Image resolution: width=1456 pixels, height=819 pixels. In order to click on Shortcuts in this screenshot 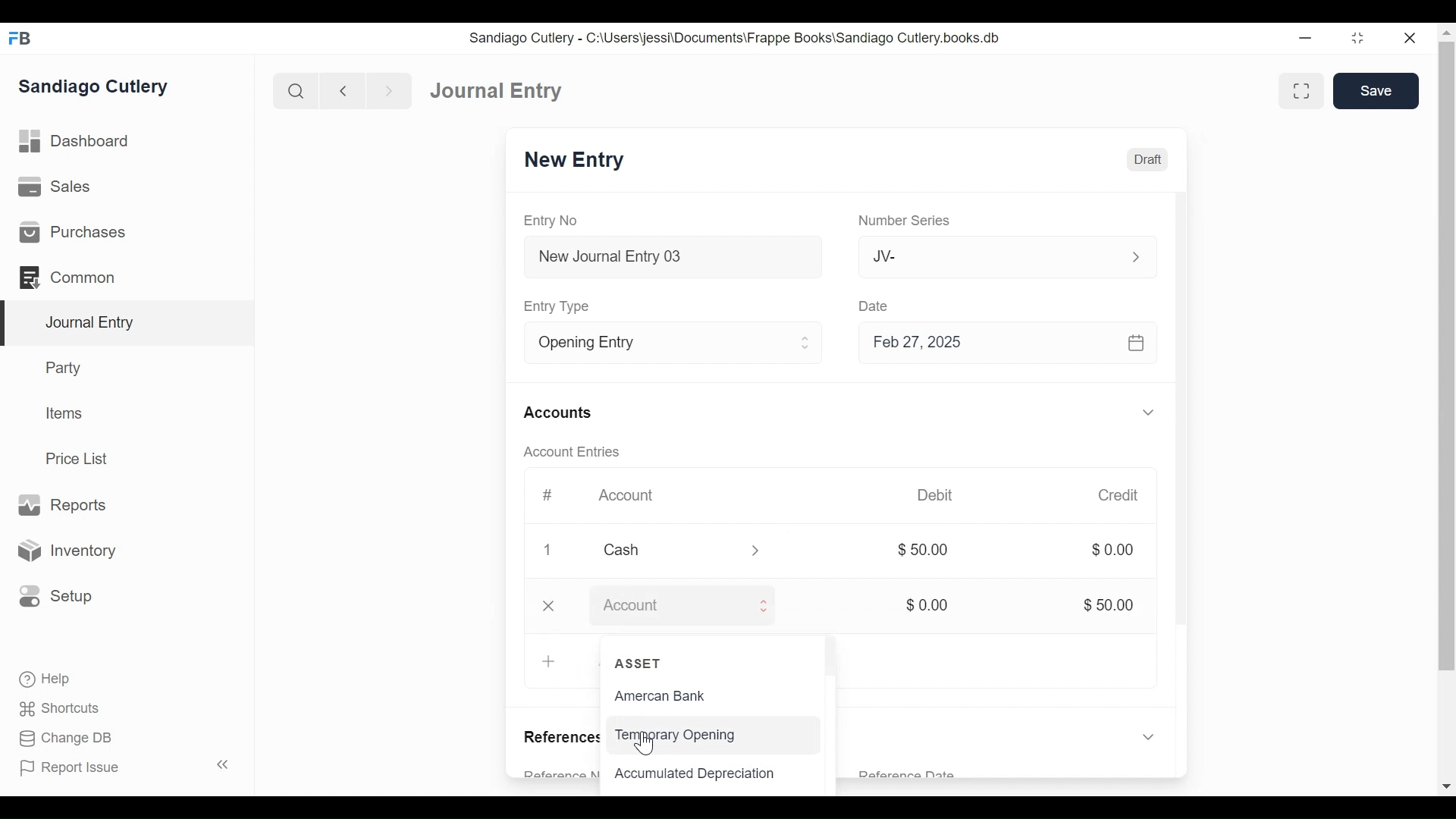, I will do `click(61, 711)`.